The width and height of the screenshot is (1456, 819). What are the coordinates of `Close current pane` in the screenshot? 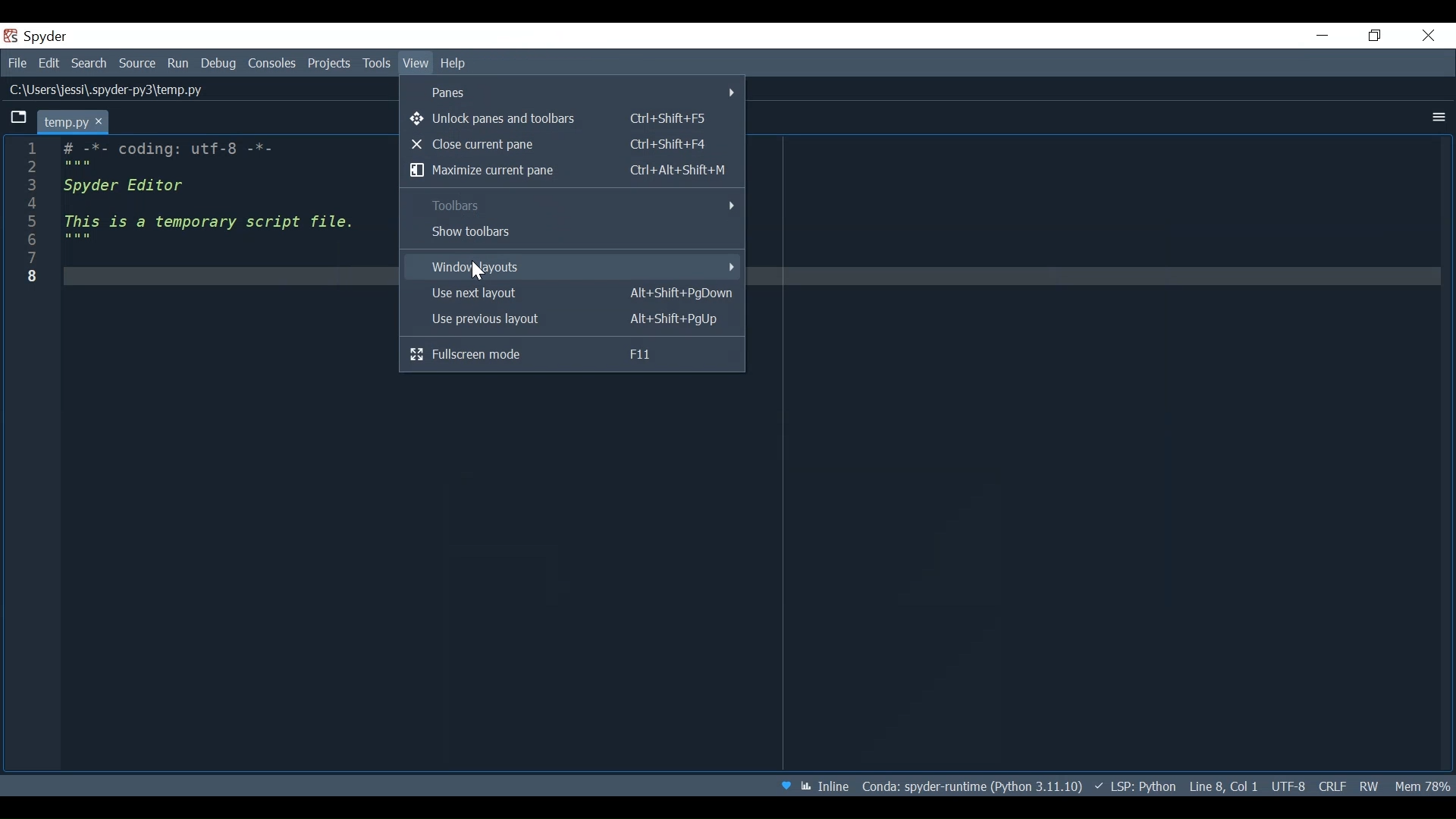 It's located at (572, 144).